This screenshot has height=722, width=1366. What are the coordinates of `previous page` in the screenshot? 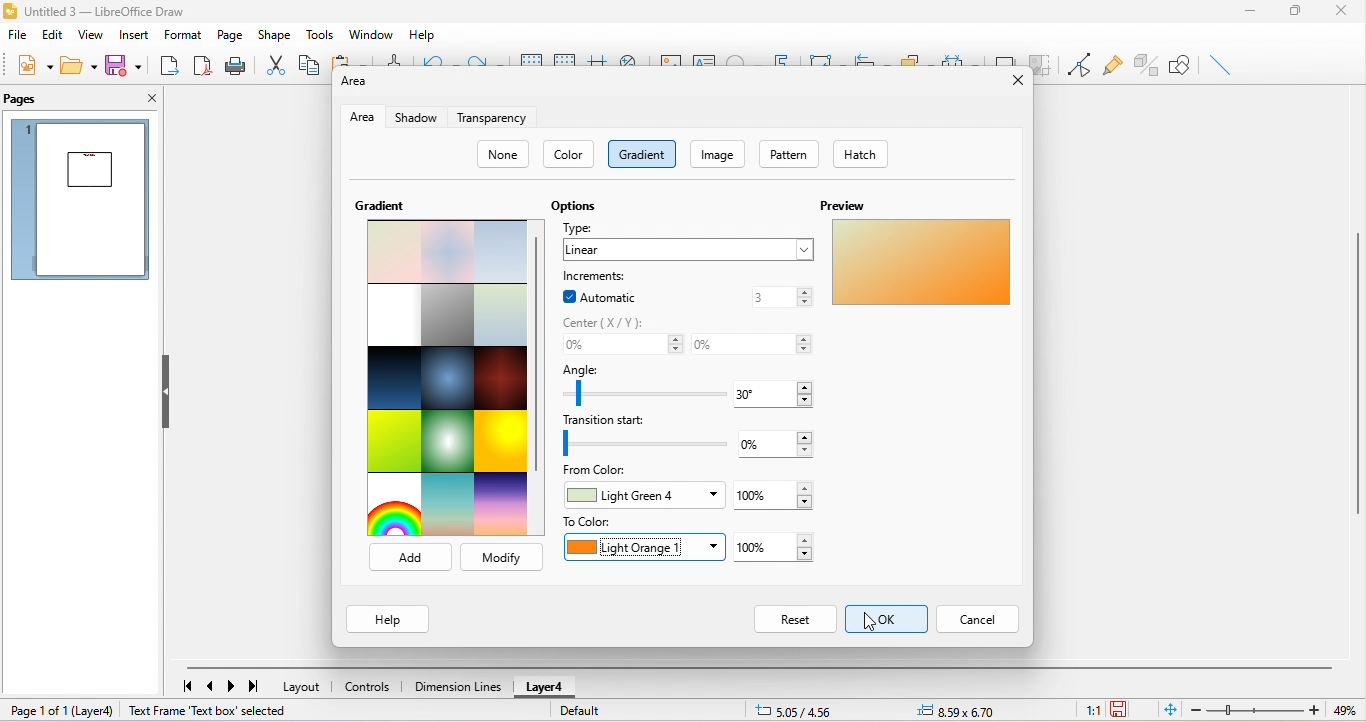 It's located at (213, 687).